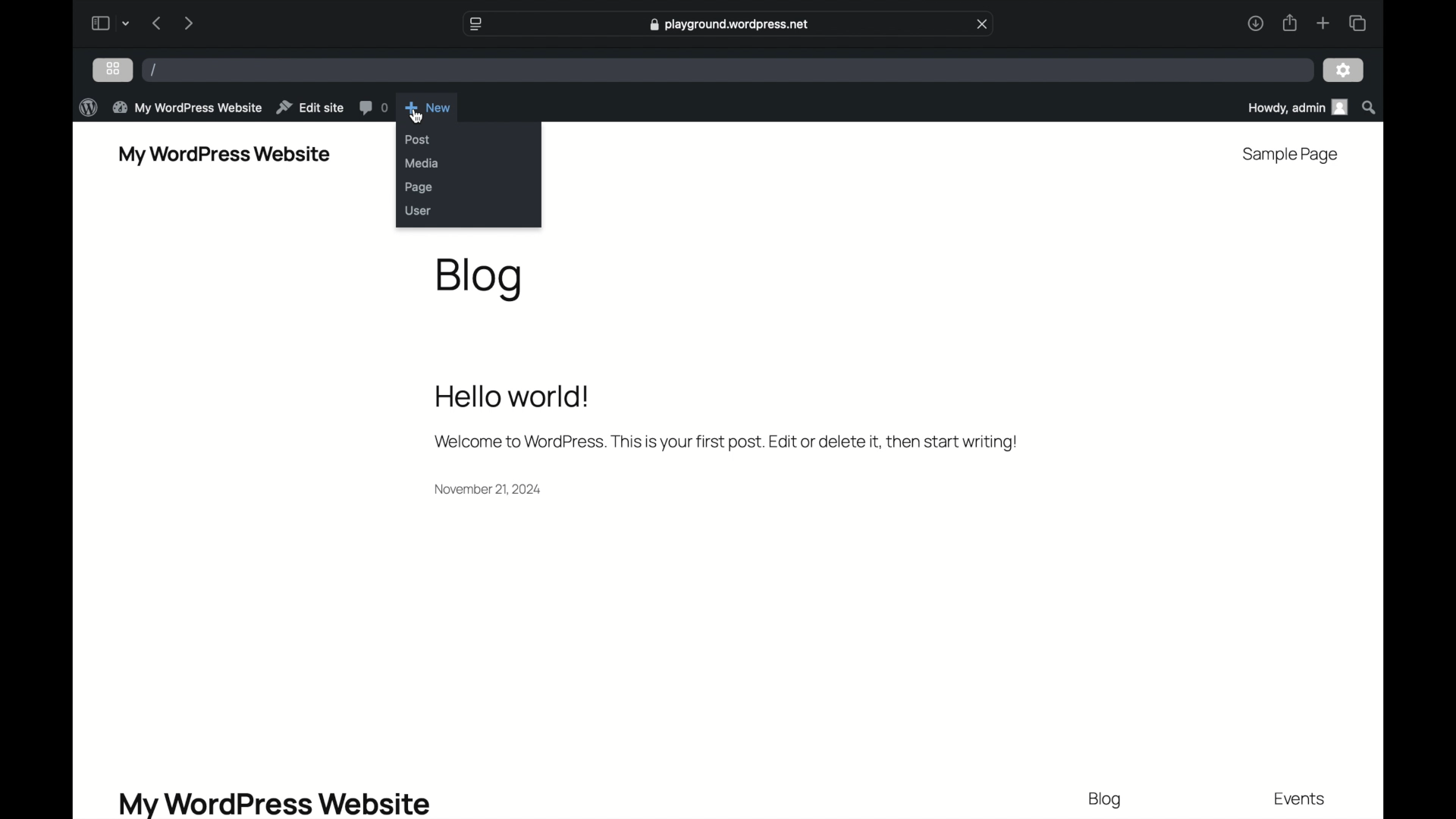 This screenshot has width=1456, height=819. Describe the element at coordinates (275, 803) in the screenshot. I see `my wordpress website` at that location.